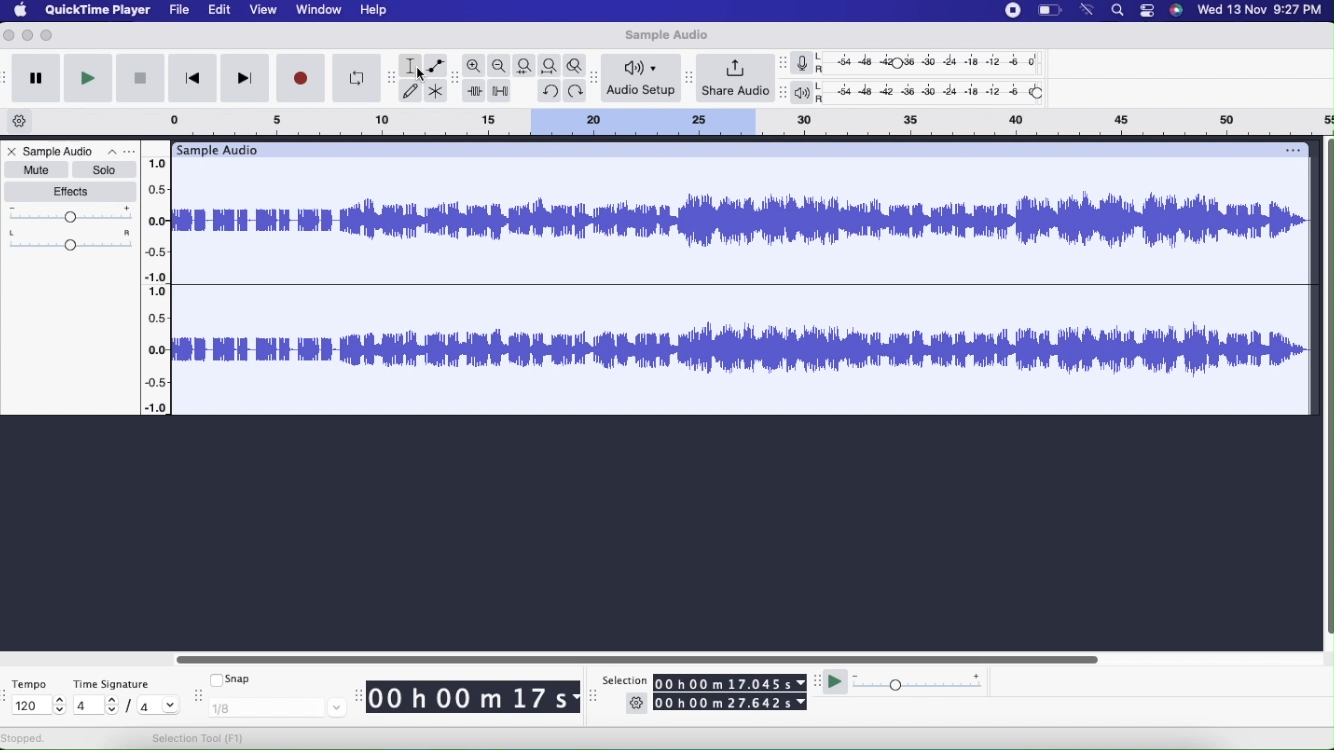  I want to click on move toolbar, so click(392, 77).